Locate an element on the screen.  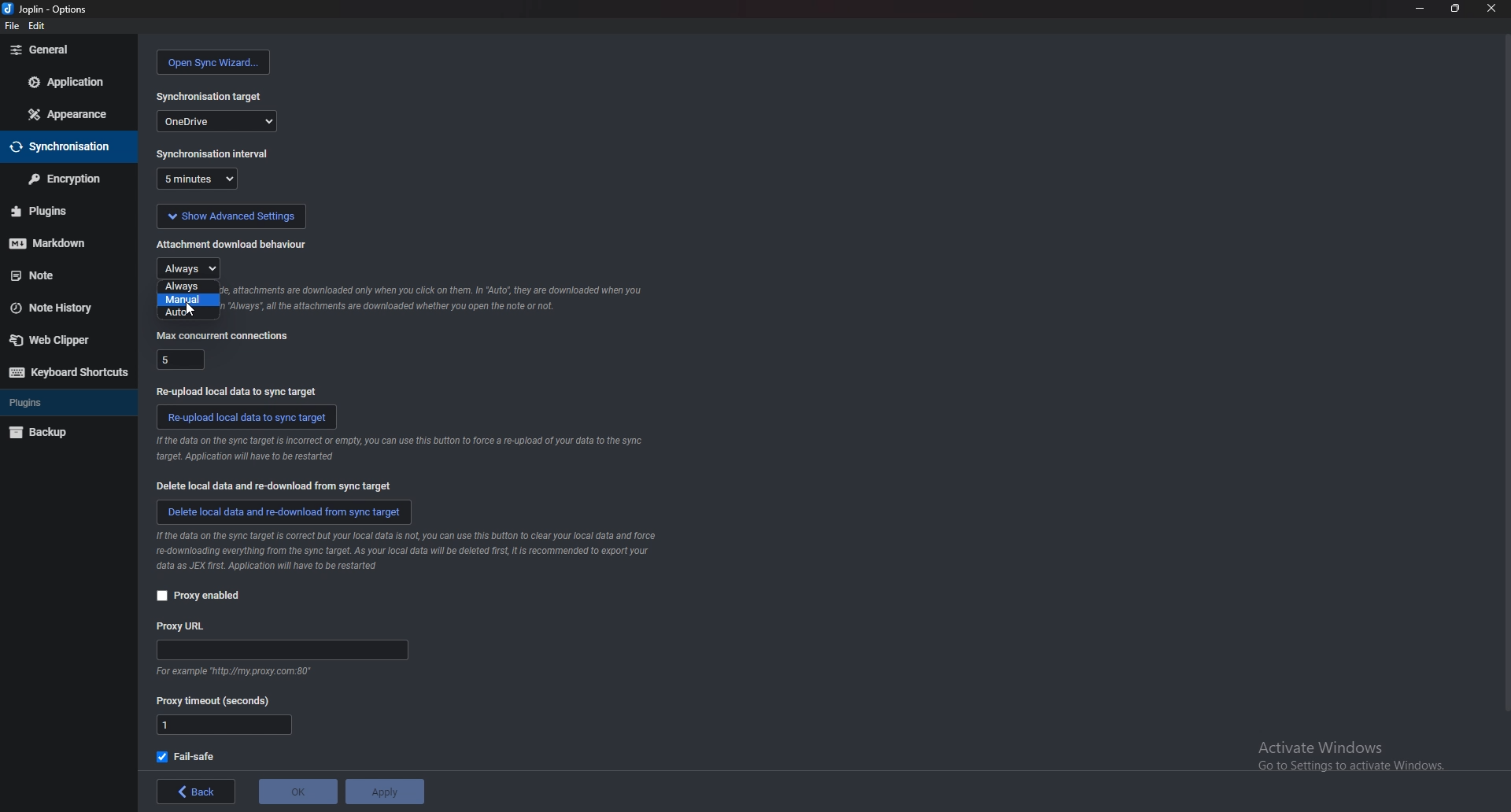
minimize is located at coordinates (1420, 7).